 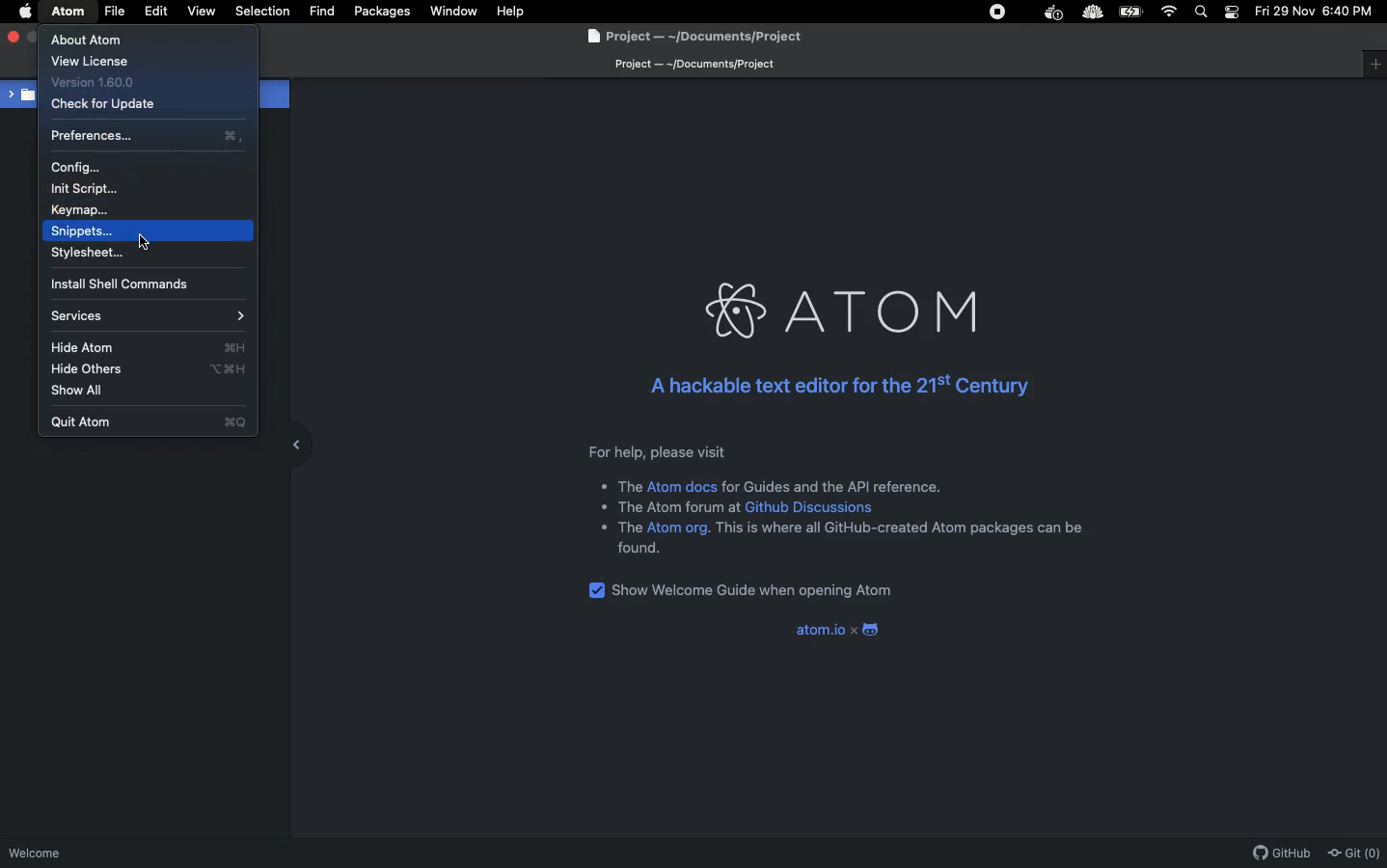 What do you see at coordinates (92, 40) in the screenshot?
I see `About Atom` at bounding box center [92, 40].